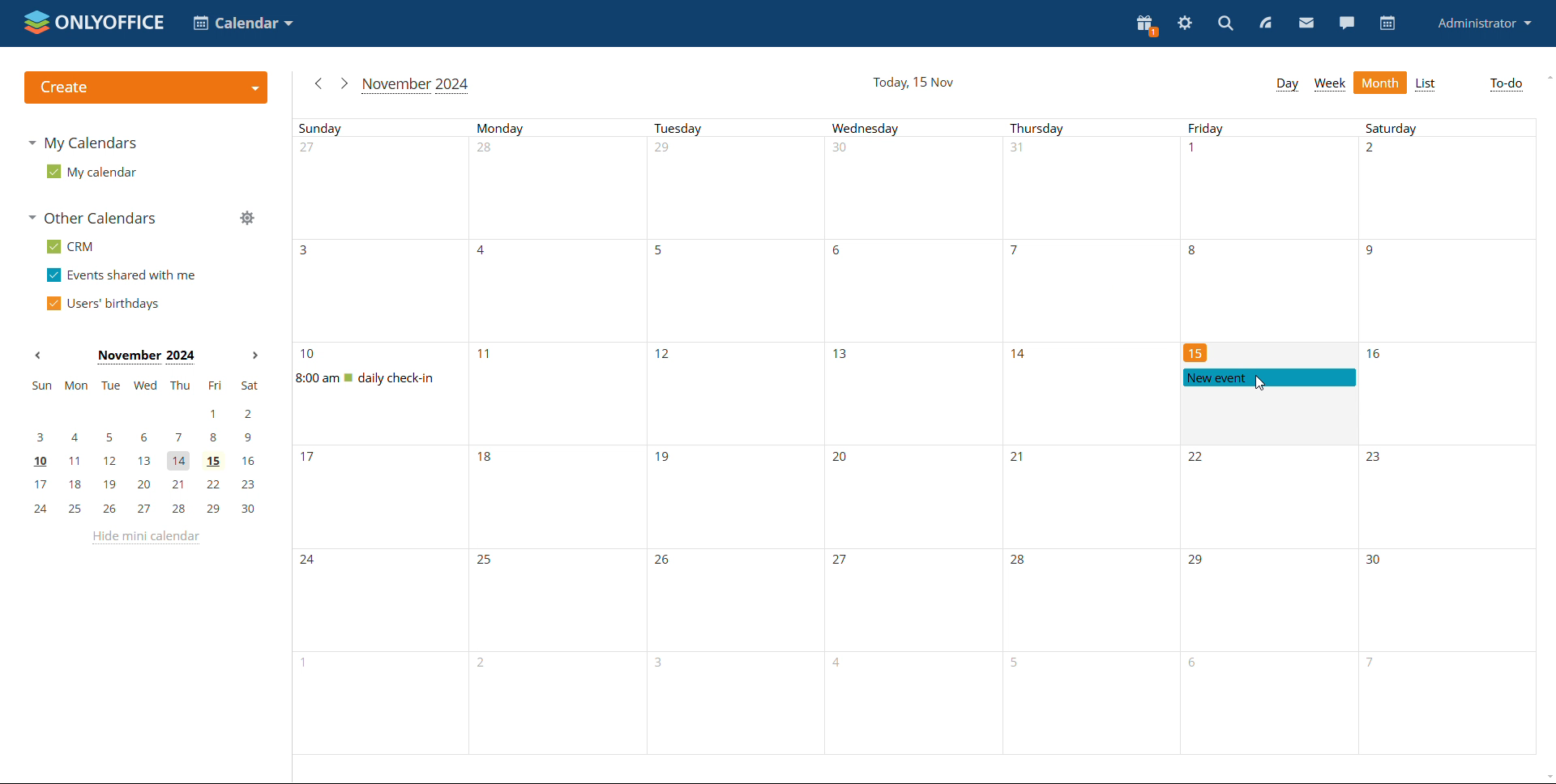 This screenshot has height=784, width=1556. Describe the element at coordinates (1375, 459) in the screenshot. I see `` at that location.